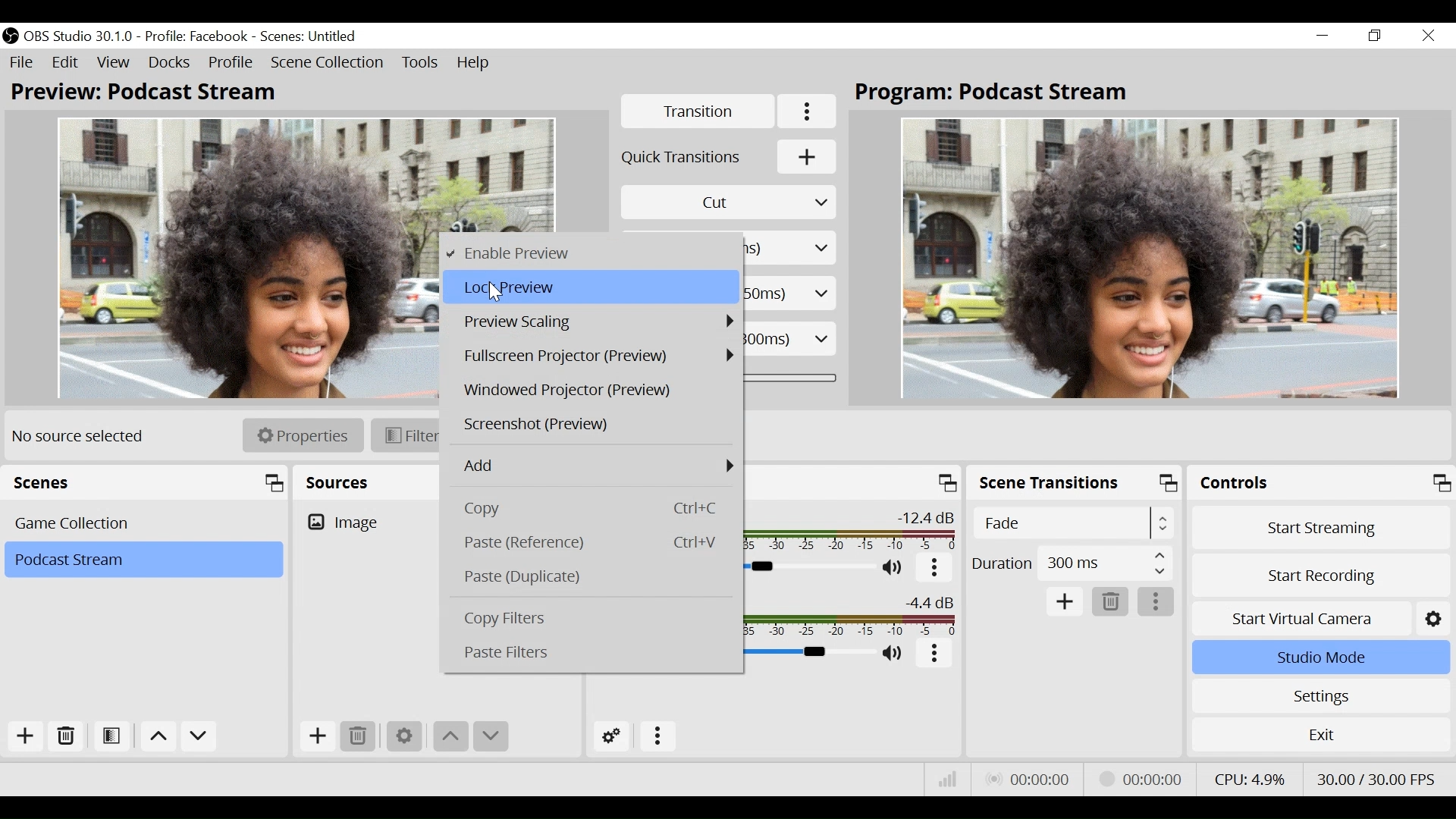 The width and height of the screenshot is (1456, 819). What do you see at coordinates (1150, 256) in the screenshot?
I see `Program Scene` at bounding box center [1150, 256].